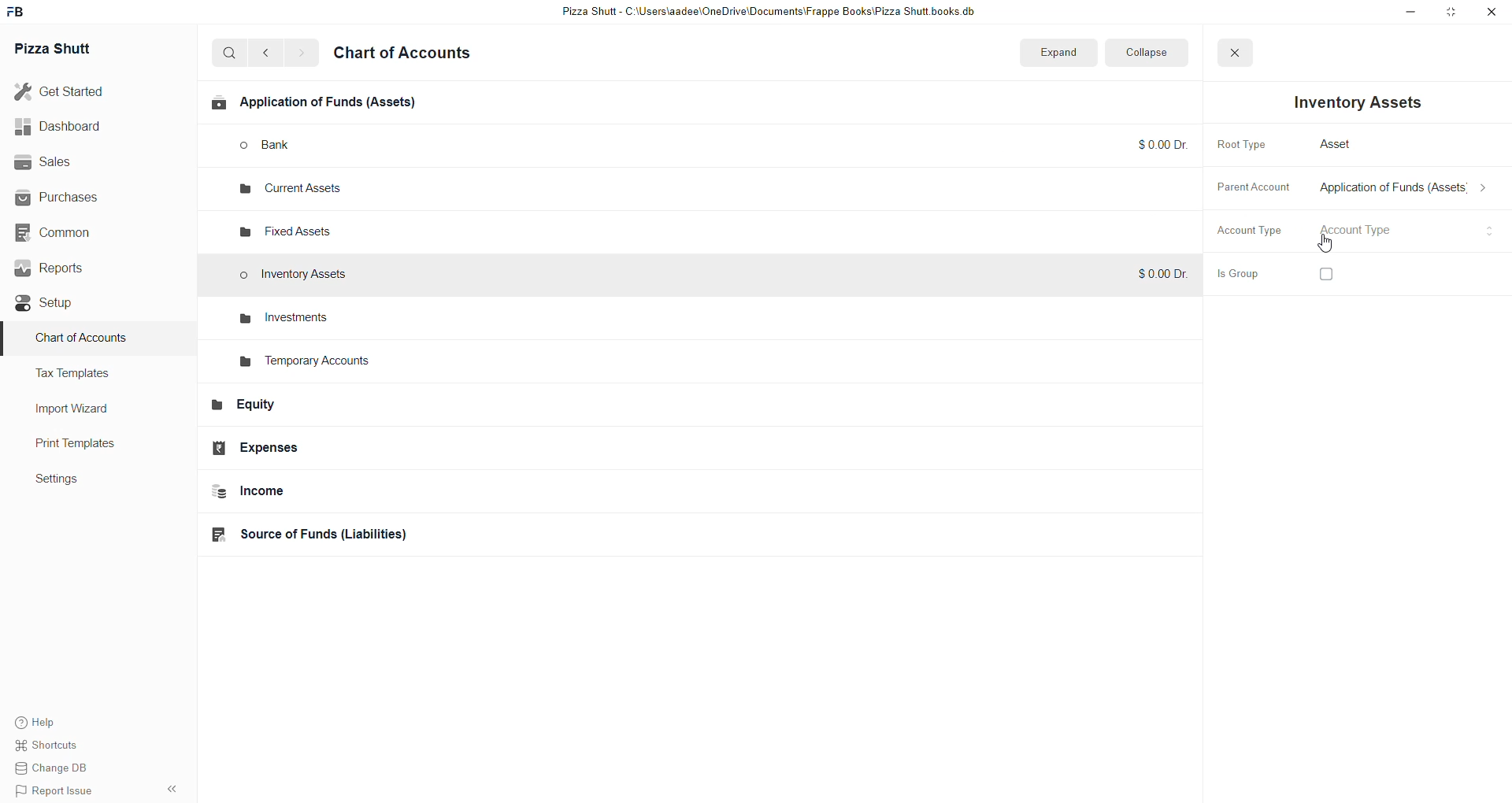 The width and height of the screenshot is (1512, 803). Describe the element at coordinates (91, 445) in the screenshot. I see `Print Templates ` at that location.